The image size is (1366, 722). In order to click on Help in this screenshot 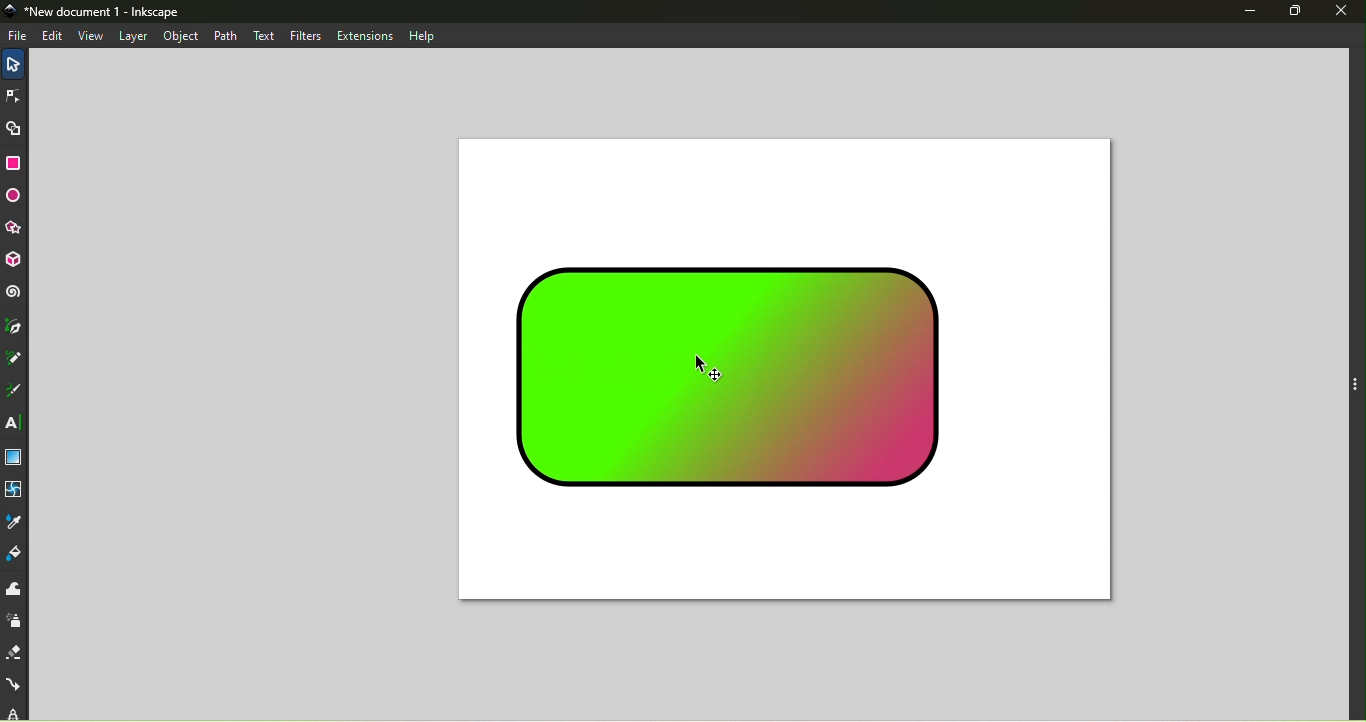, I will do `click(422, 35)`.